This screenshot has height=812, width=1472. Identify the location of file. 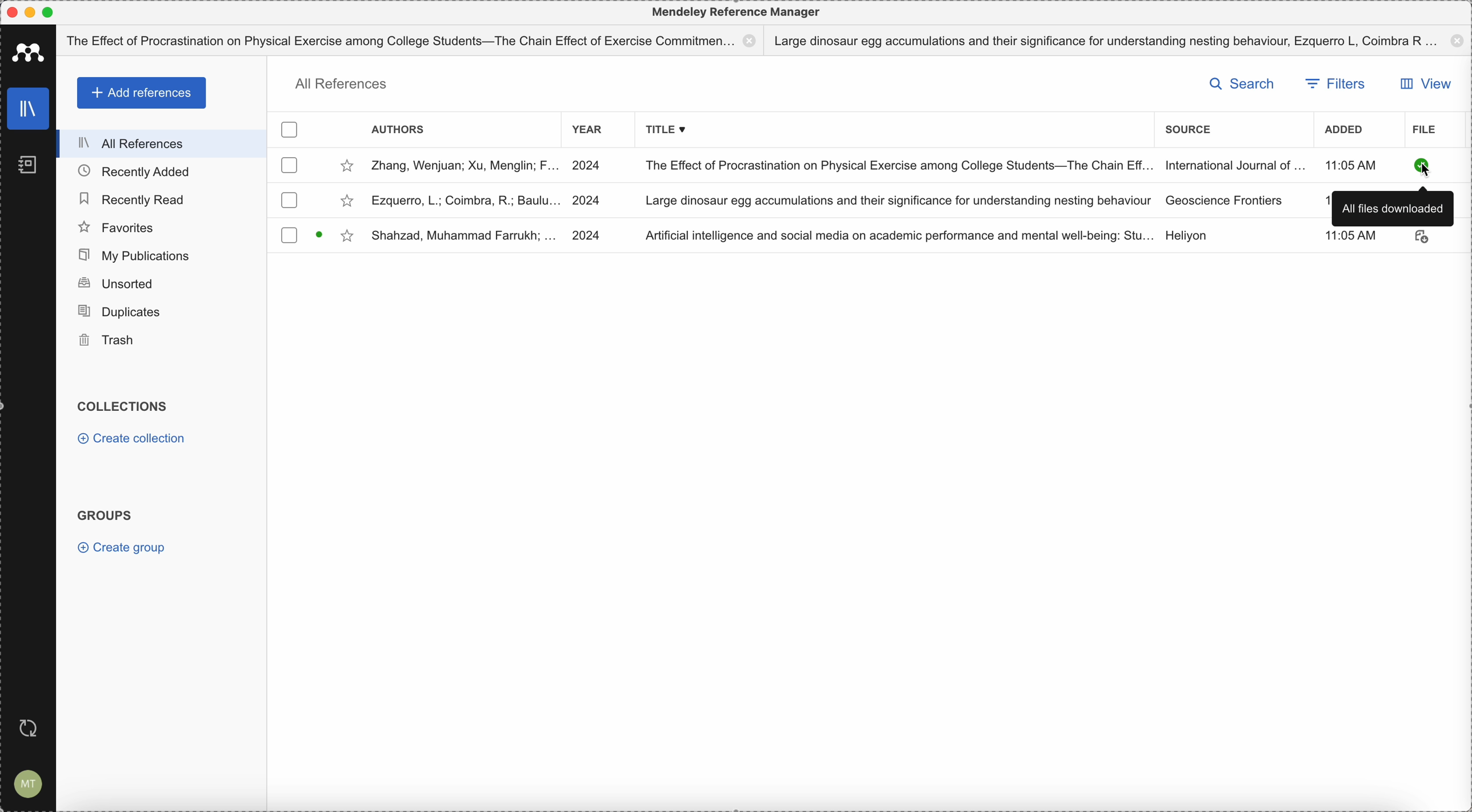
(1424, 129).